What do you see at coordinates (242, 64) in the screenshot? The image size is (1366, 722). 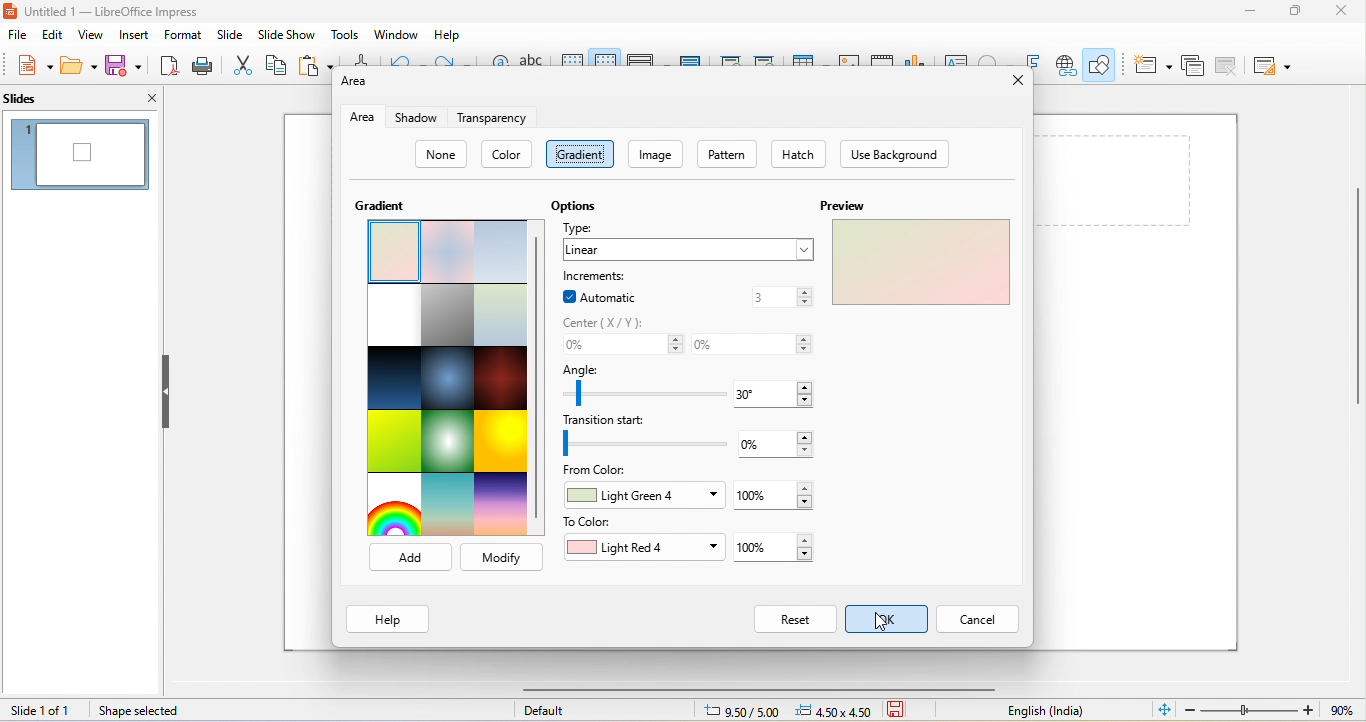 I see `cut` at bounding box center [242, 64].